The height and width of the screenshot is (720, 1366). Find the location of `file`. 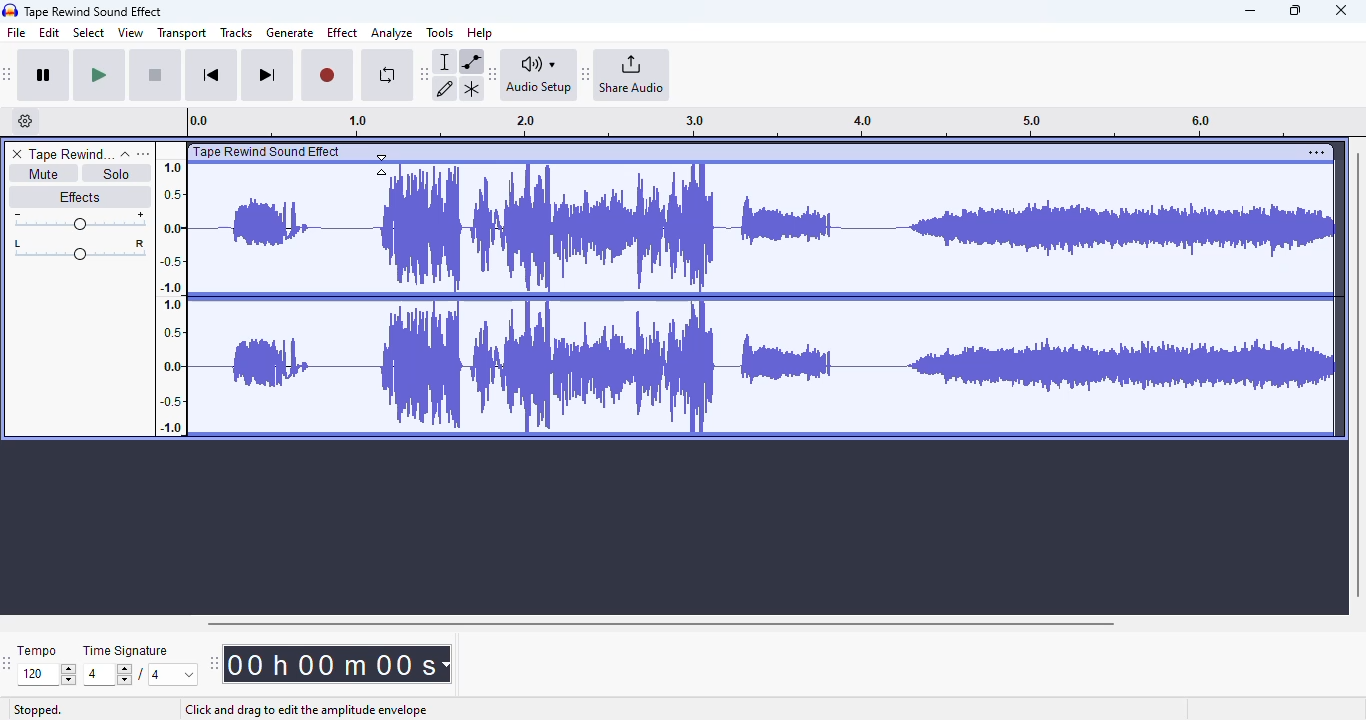

file is located at coordinates (17, 33).